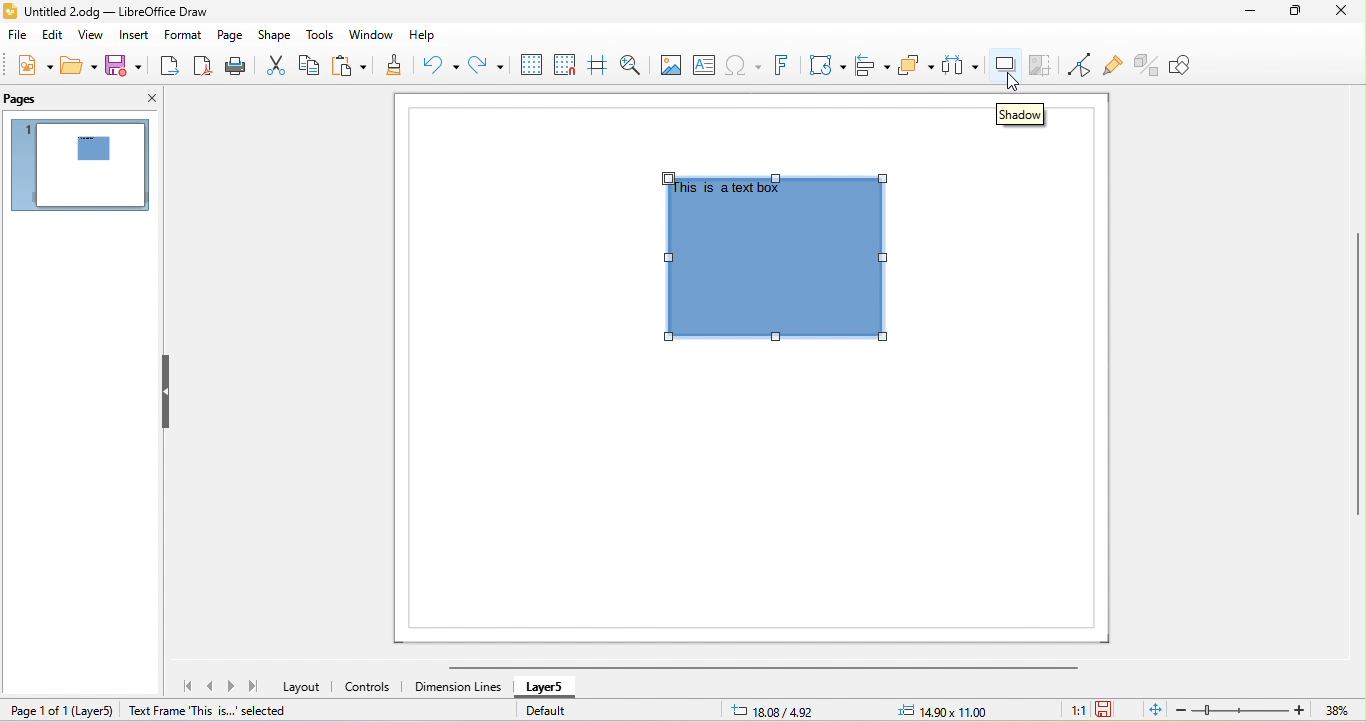  Describe the element at coordinates (954, 710) in the screenshot. I see `14.90x11.00` at that location.